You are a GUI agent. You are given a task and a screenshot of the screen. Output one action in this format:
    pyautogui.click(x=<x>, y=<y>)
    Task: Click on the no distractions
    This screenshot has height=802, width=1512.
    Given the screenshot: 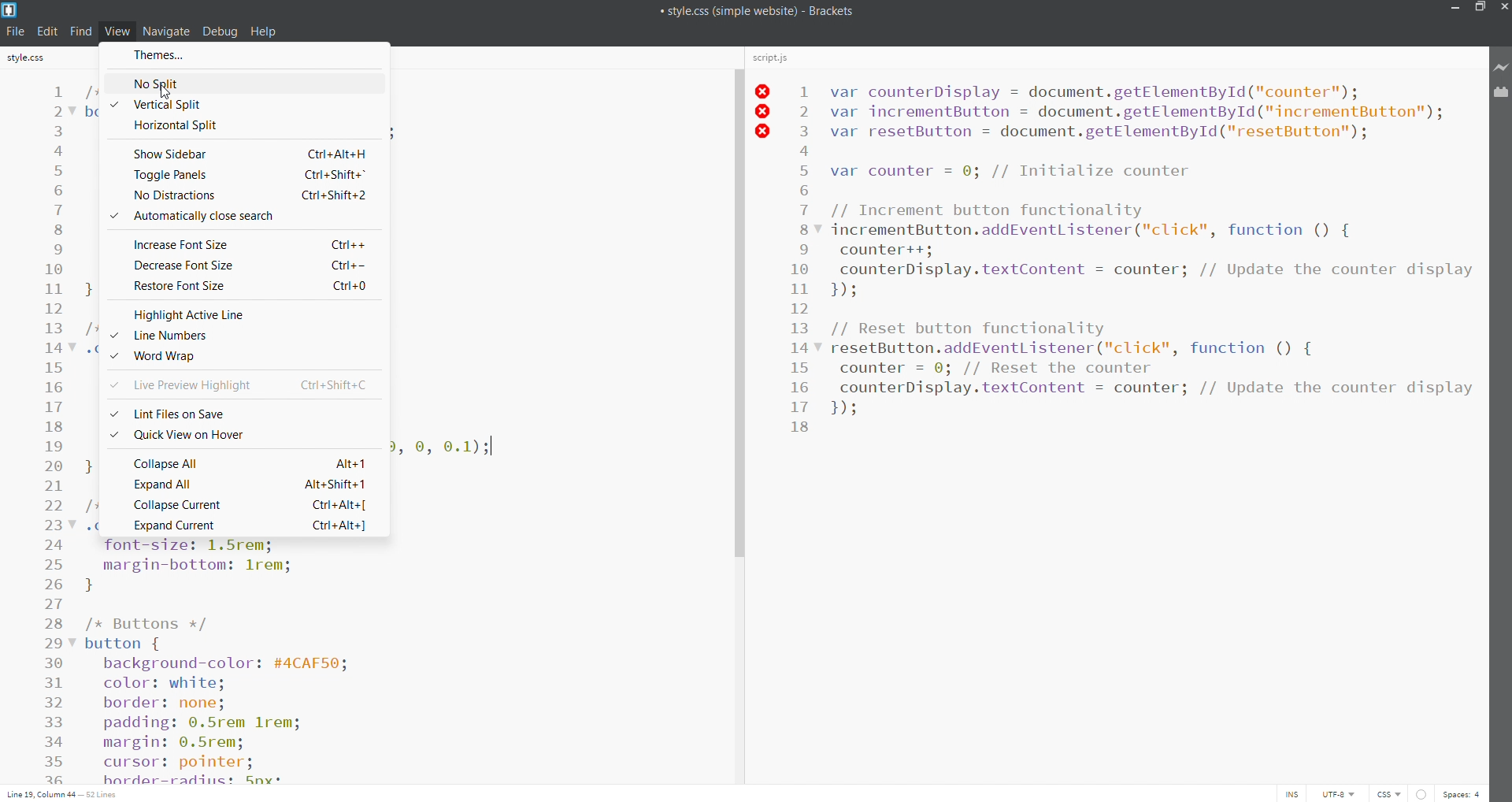 What is the action you would take?
    pyautogui.click(x=238, y=195)
    